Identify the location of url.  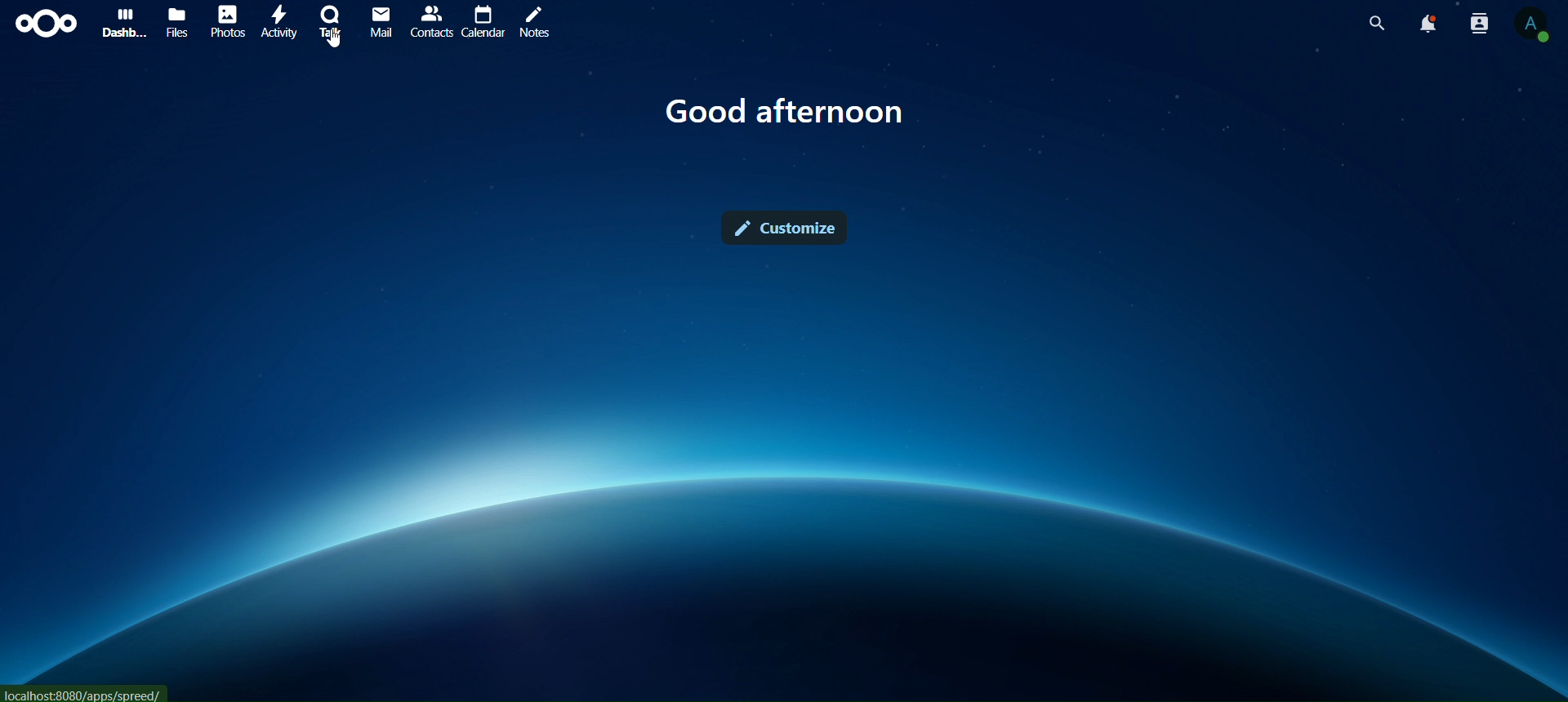
(84, 692).